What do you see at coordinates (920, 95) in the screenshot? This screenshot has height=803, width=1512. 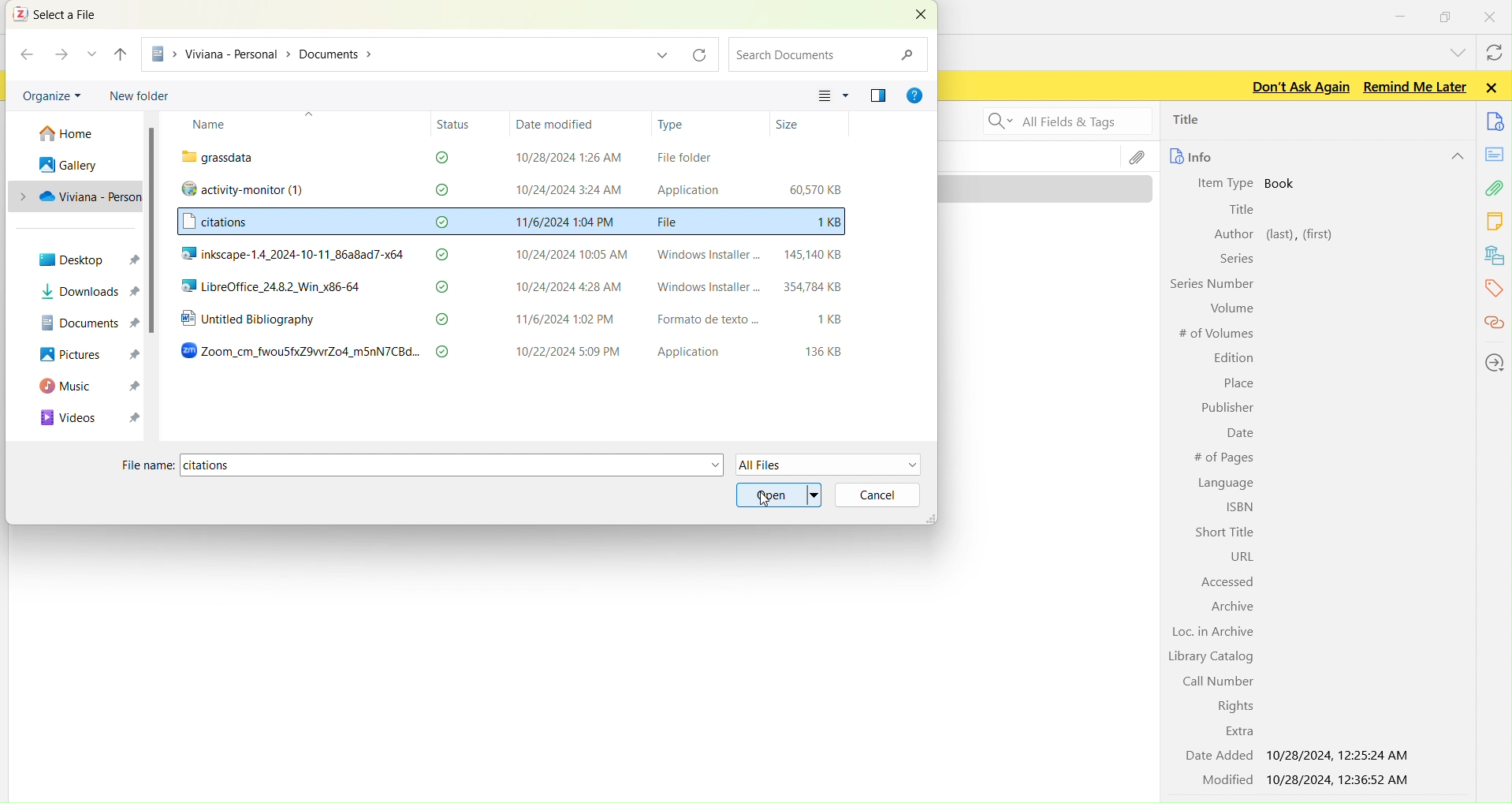 I see `GER HELP` at bounding box center [920, 95].